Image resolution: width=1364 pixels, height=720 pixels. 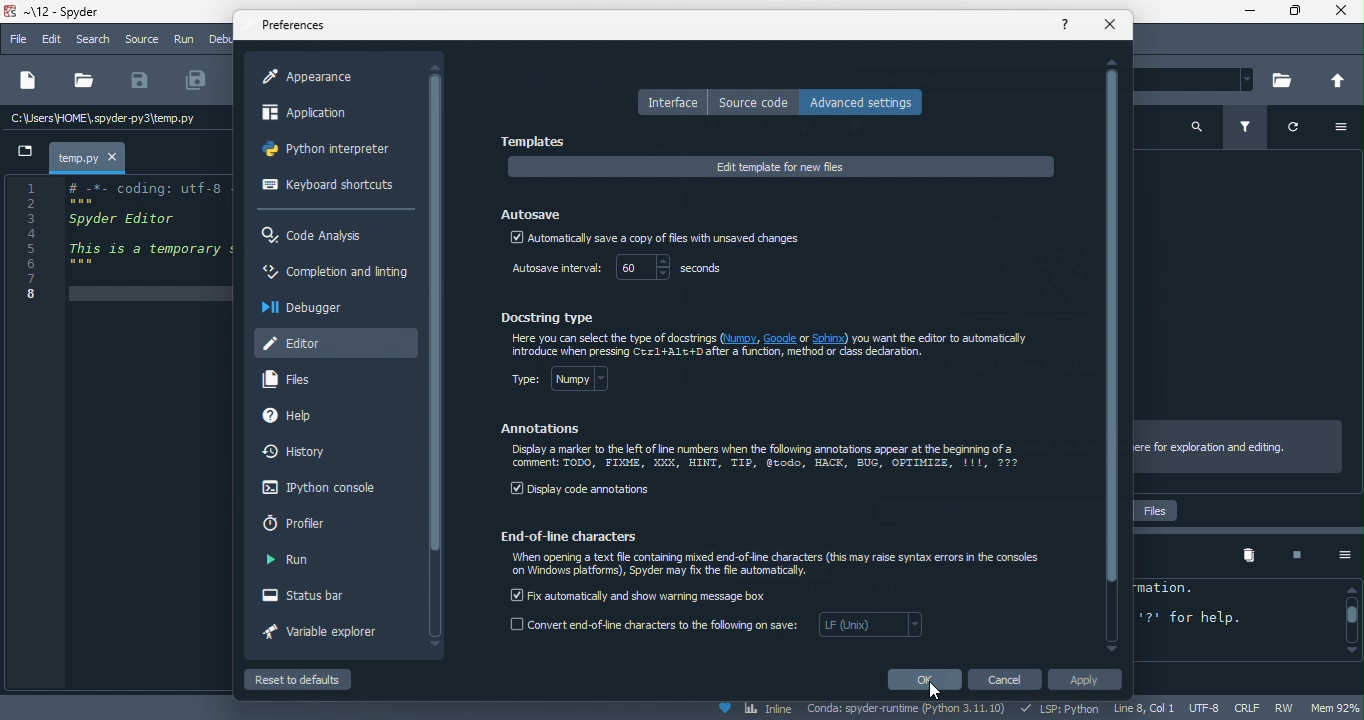 I want to click on templates, so click(x=538, y=142).